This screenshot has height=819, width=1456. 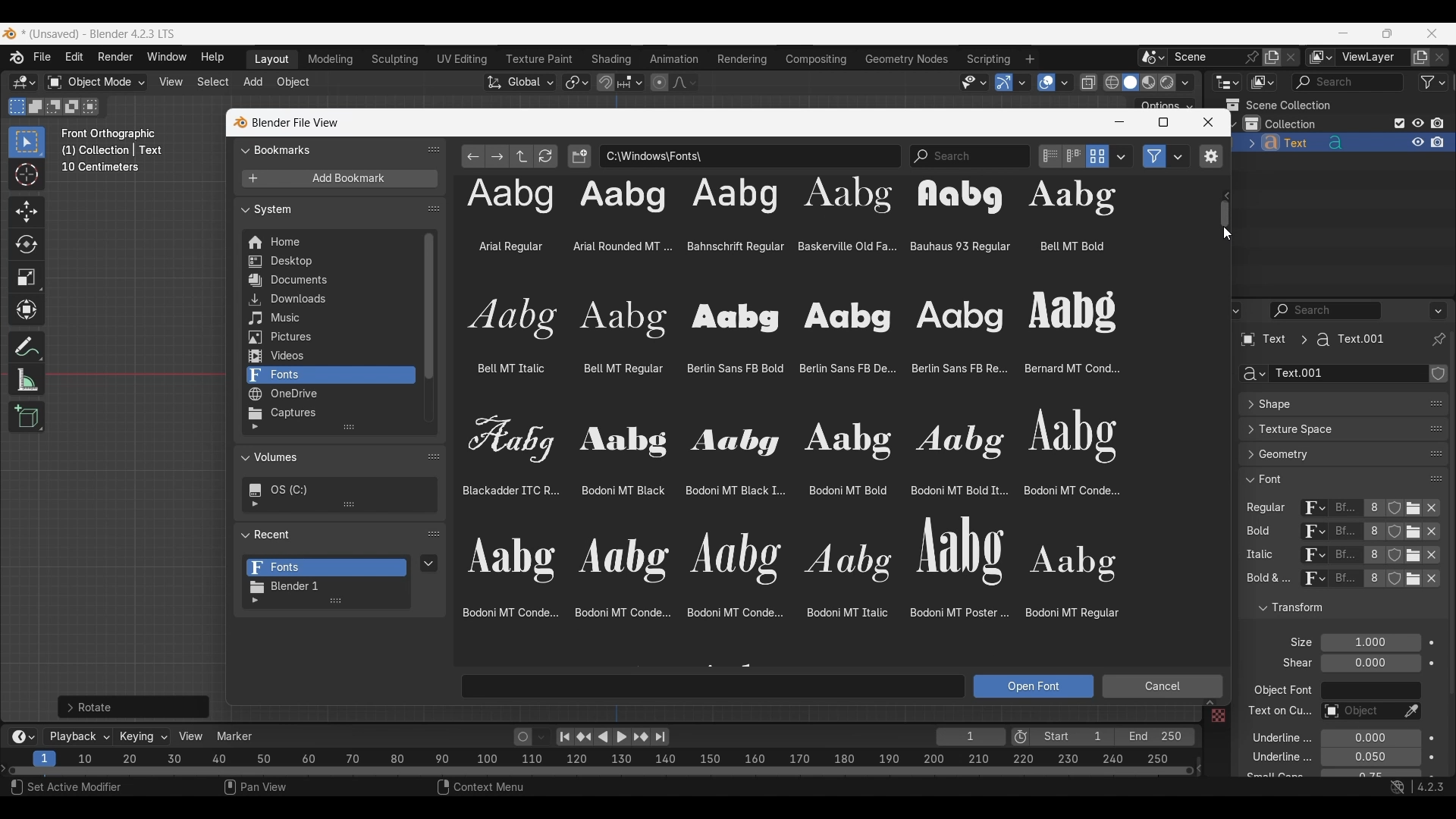 What do you see at coordinates (1437, 601) in the screenshot?
I see `Change order in the list` at bounding box center [1437, 601].